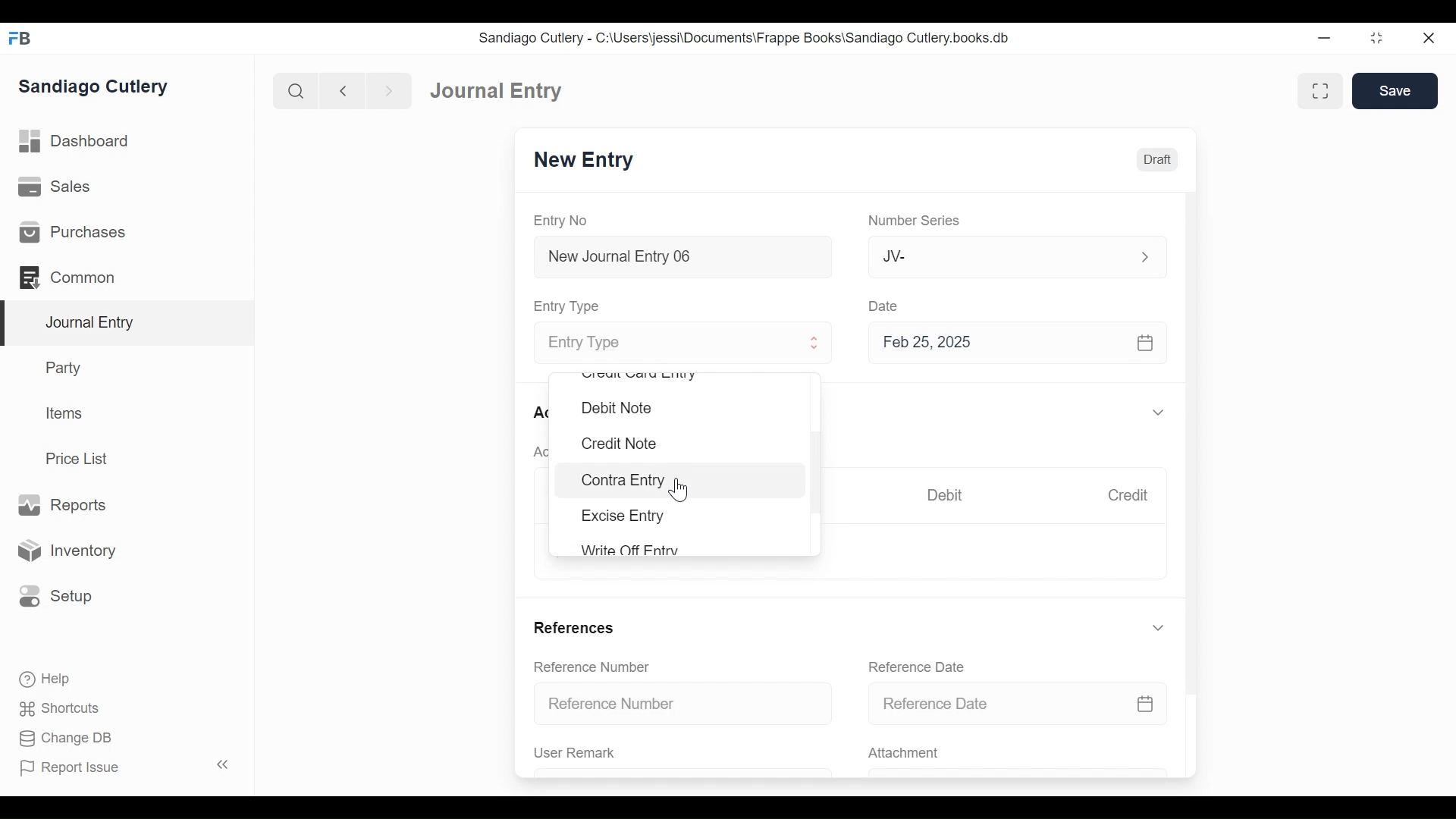 The image size is (1456, 819). What do you see at coordinates (1158, 628) in the screenshot?
I see `Expand` at bounding box center [1158, 628].